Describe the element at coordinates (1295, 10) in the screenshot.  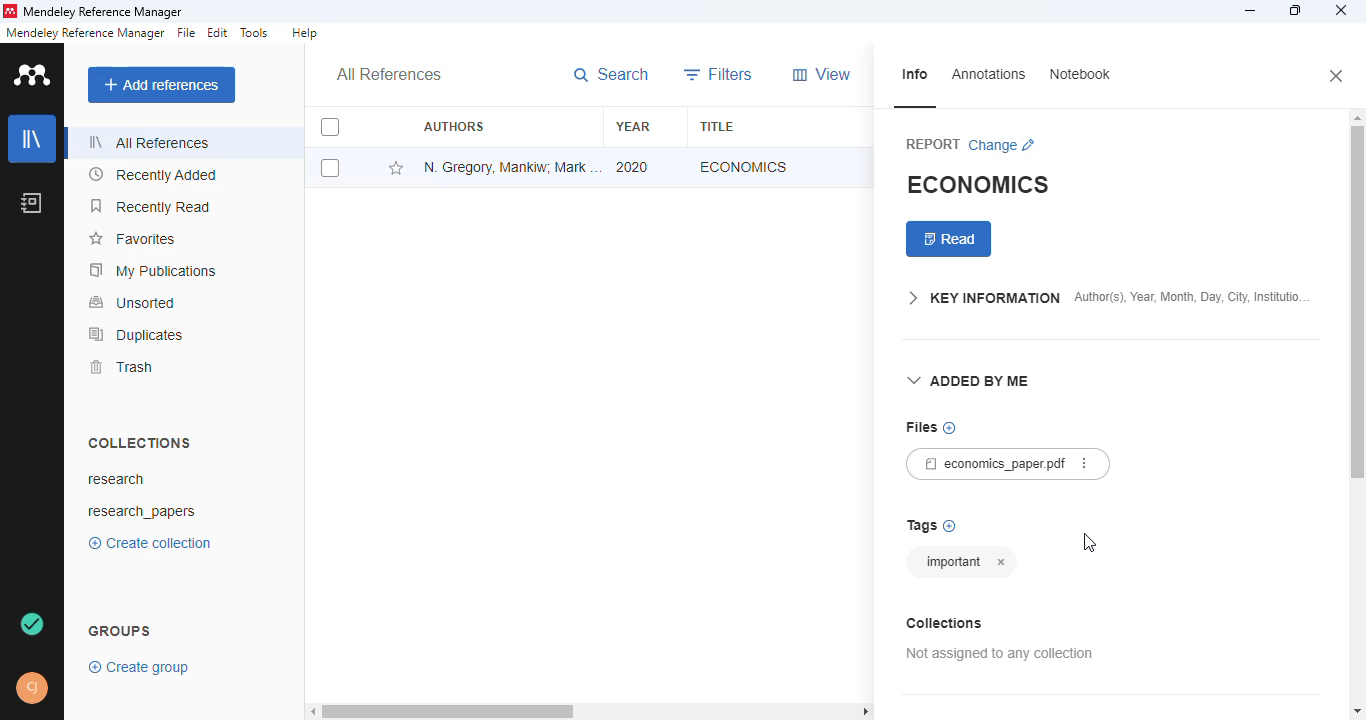
I see `maximize` at that location.